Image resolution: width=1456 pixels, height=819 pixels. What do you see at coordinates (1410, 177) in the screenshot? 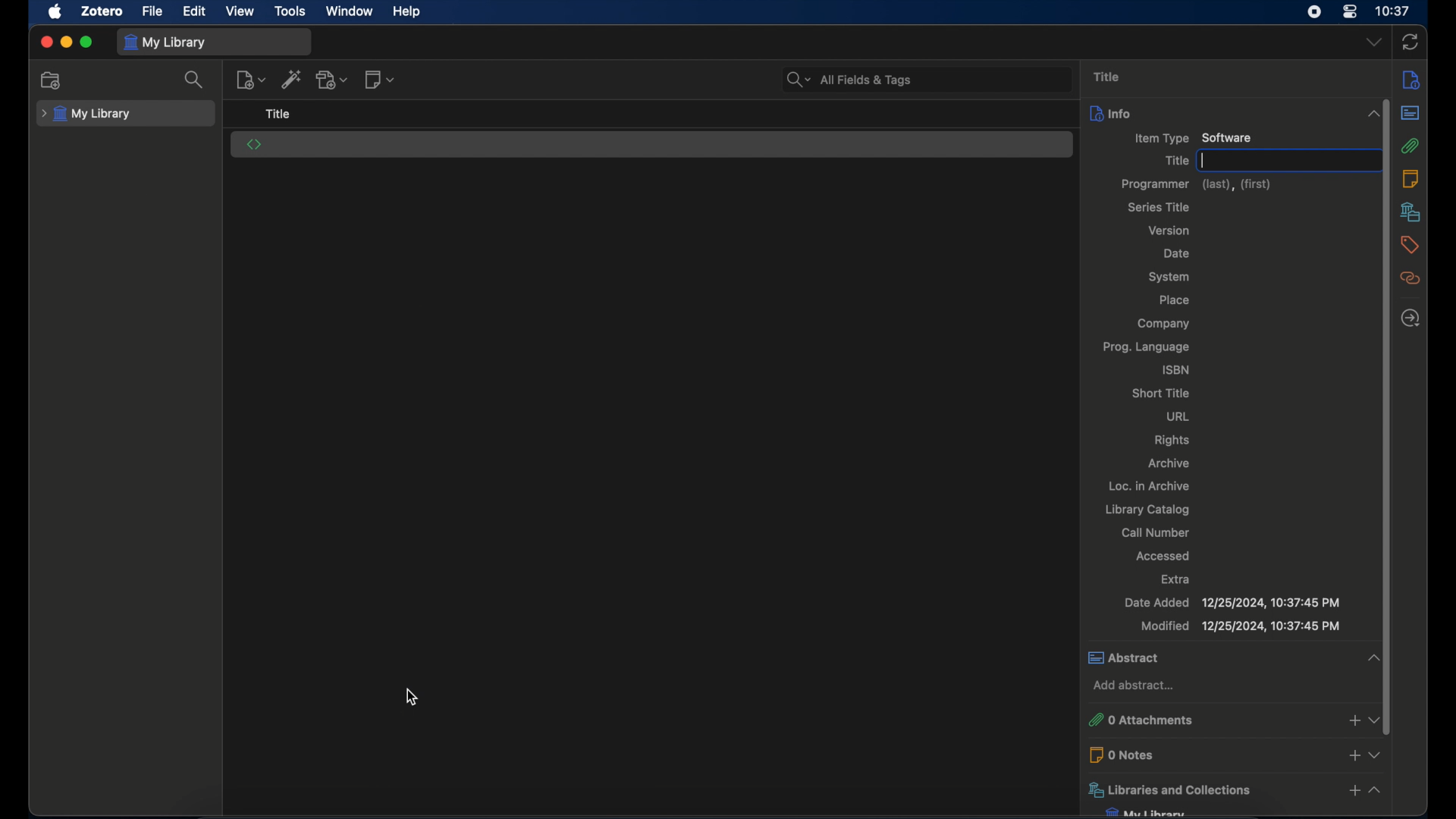
I see `notes` at bounding box center [1410, 177].